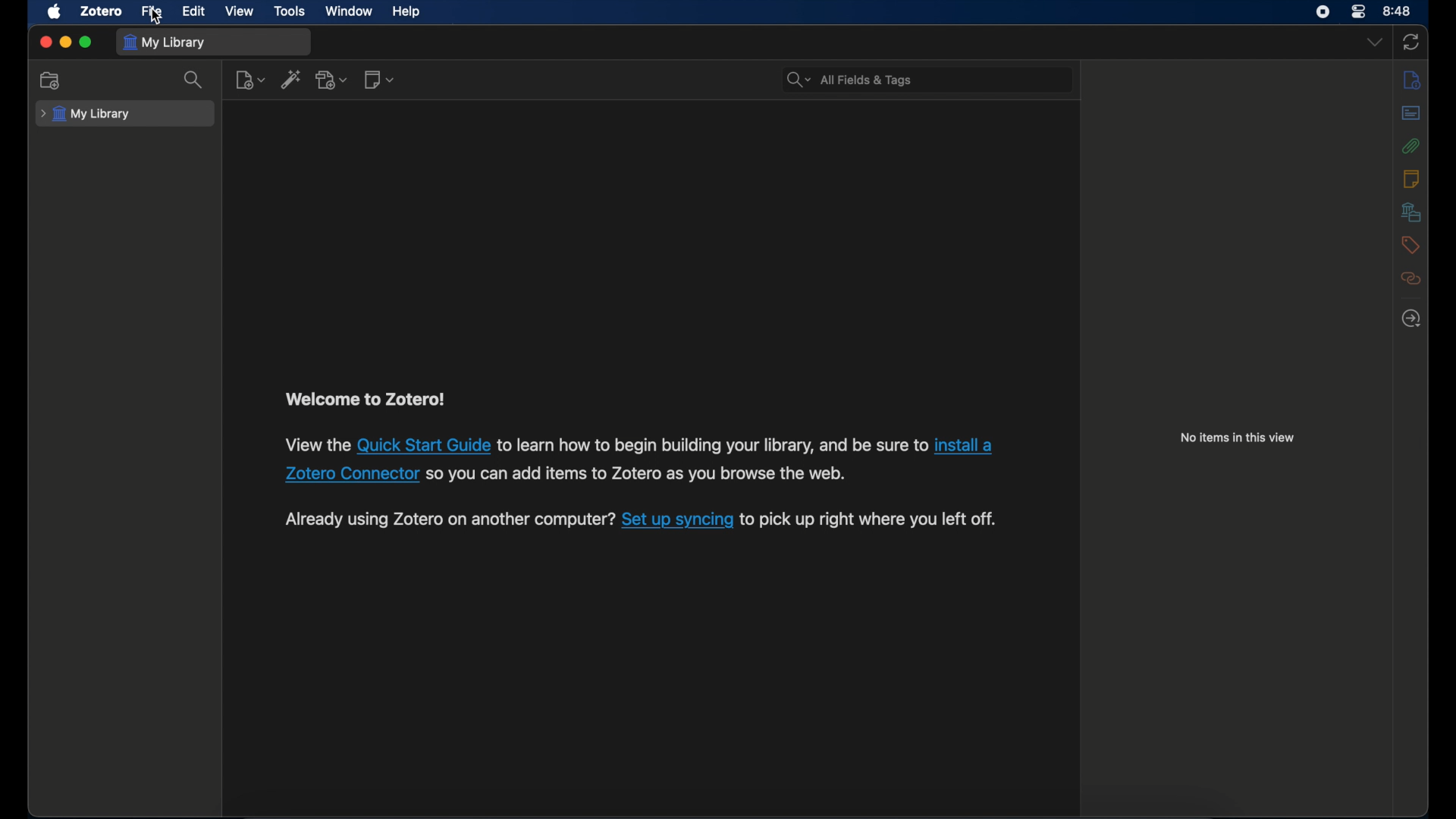  What do you see at coordinates (100, 11) in the screenshot?
I see `zotero` at bounding box center [100, 11].